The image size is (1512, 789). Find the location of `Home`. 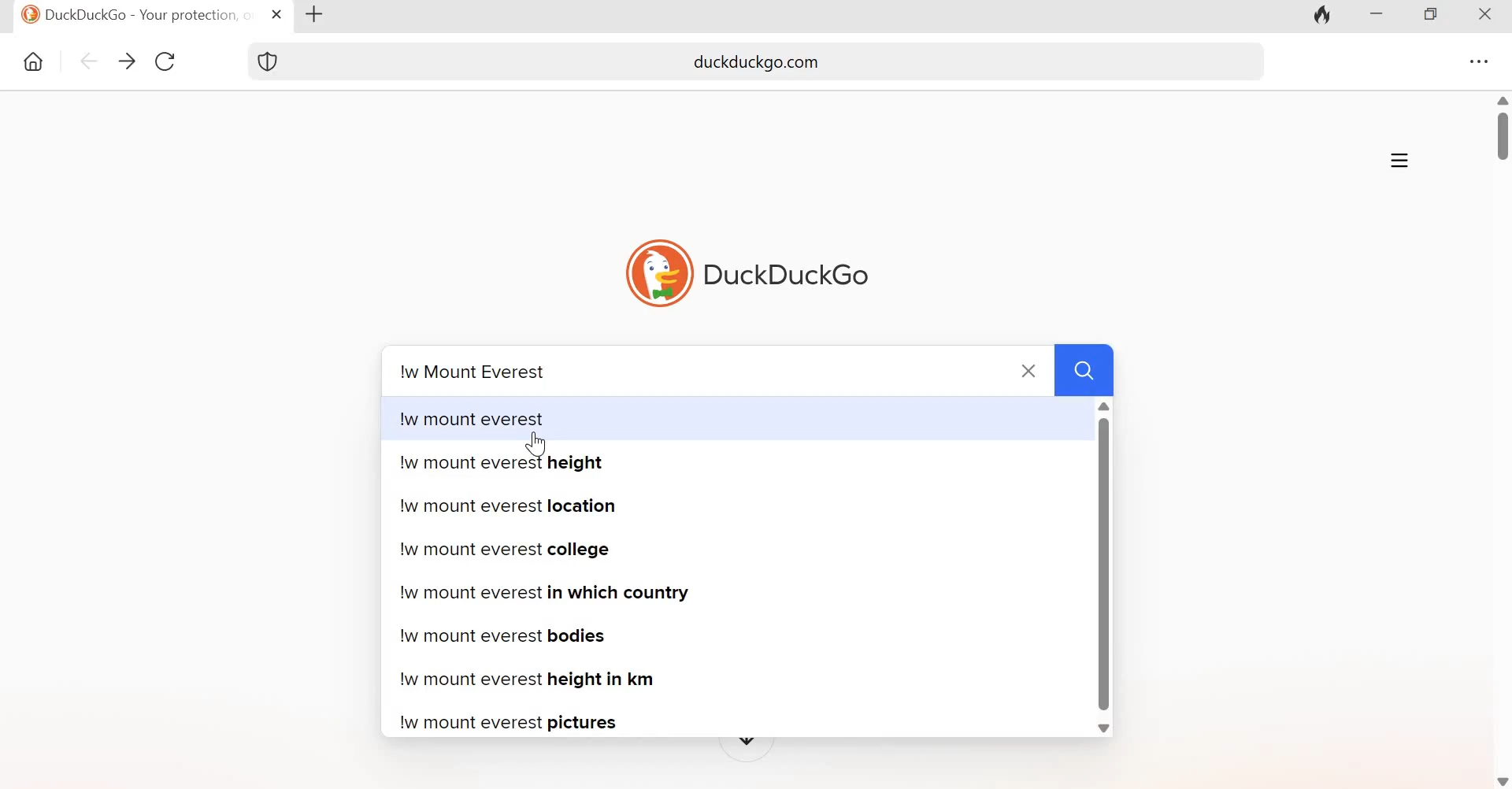

Home is located at coordinates (31, 61).